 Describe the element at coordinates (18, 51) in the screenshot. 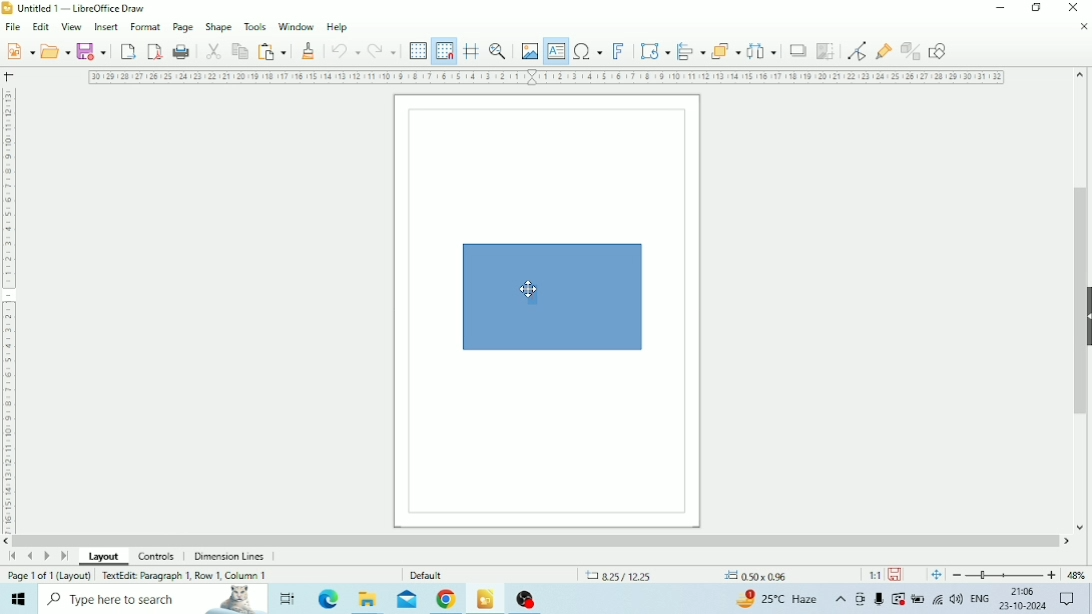

I see `New` at that location.